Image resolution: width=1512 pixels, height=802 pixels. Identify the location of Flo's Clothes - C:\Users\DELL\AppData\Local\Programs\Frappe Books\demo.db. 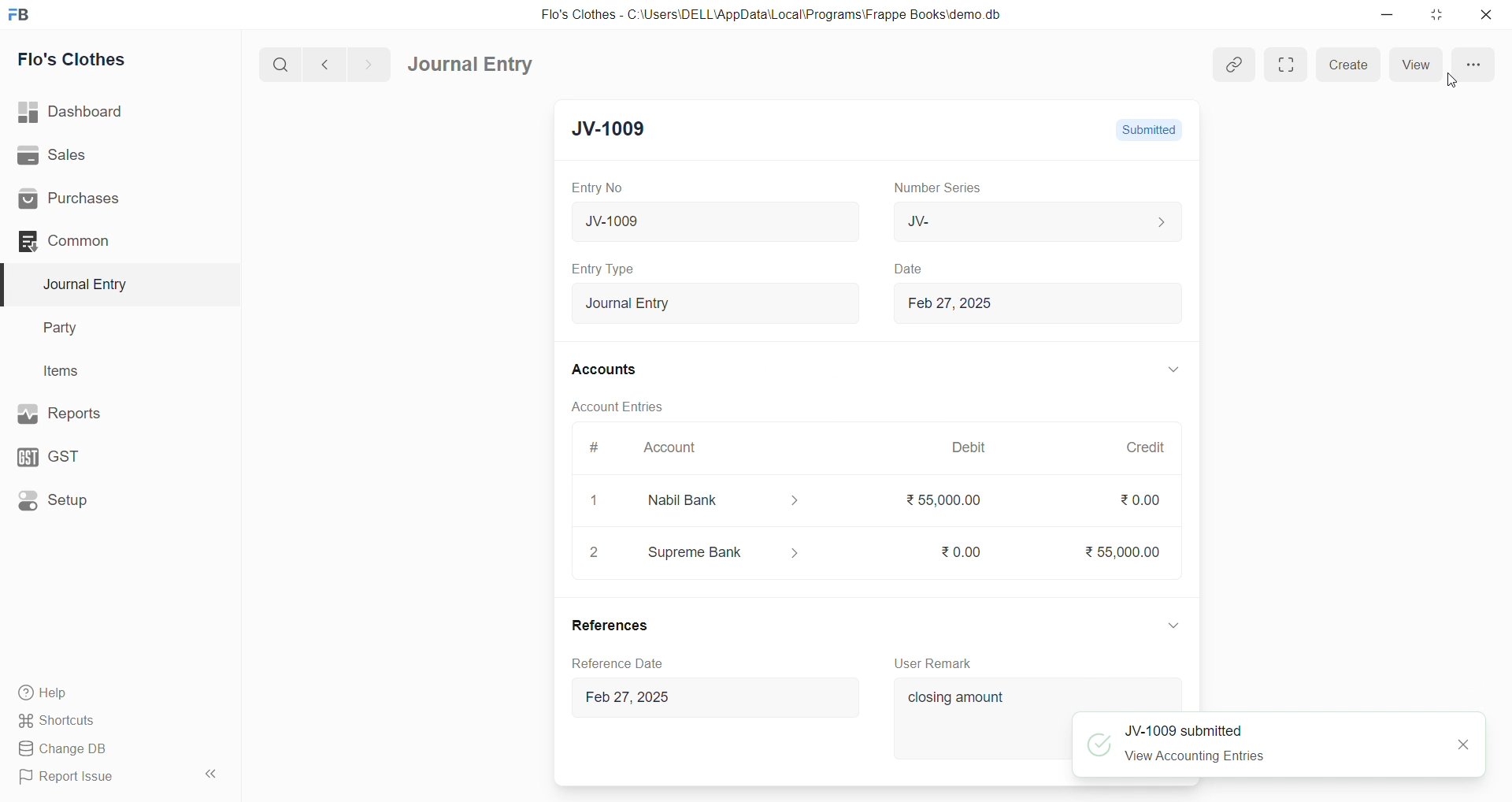
(771, 13).